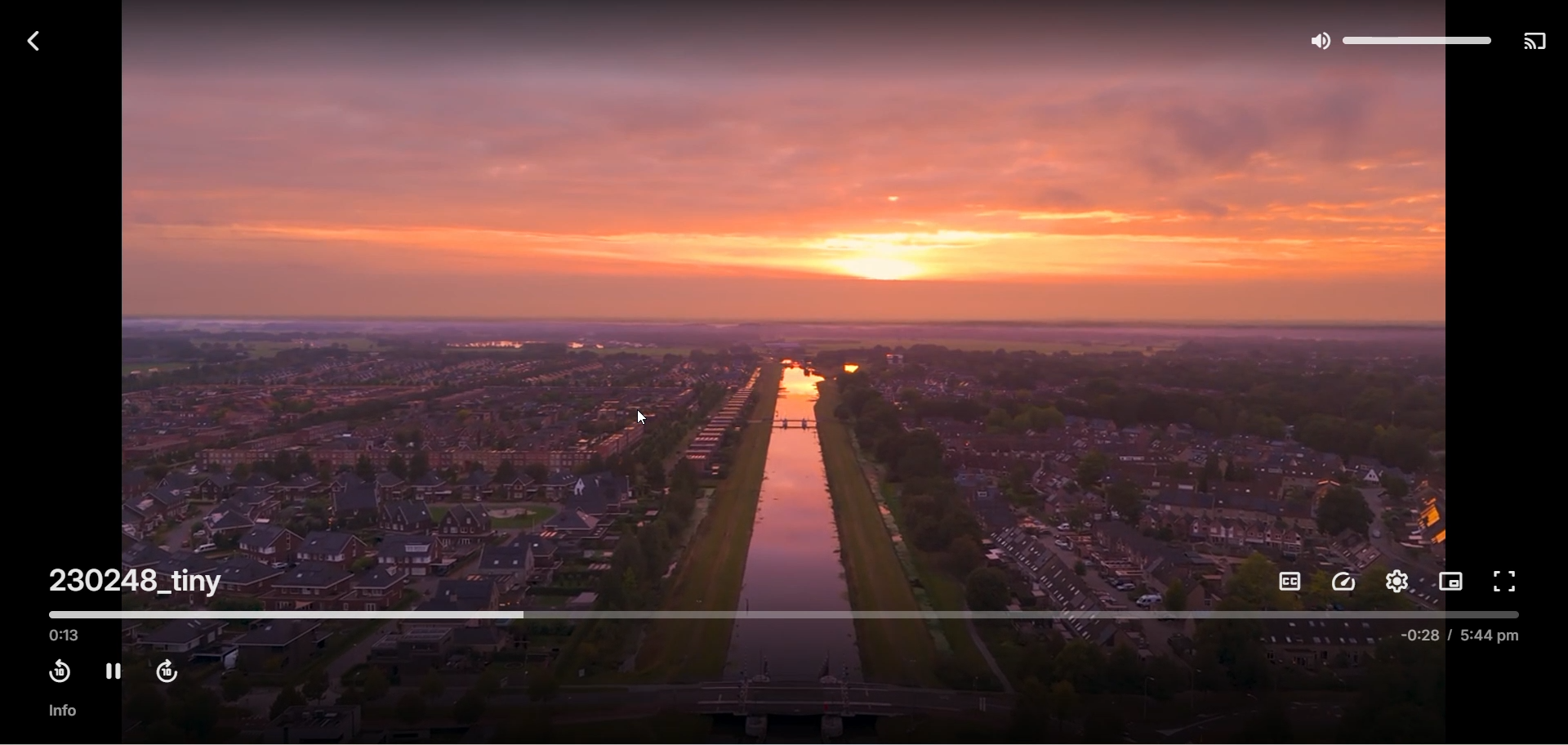 The image size is (1568, 745). What do you see at coordinates (30, 42) in the screenshot?
I see `back` at bounding box center [30, 42].